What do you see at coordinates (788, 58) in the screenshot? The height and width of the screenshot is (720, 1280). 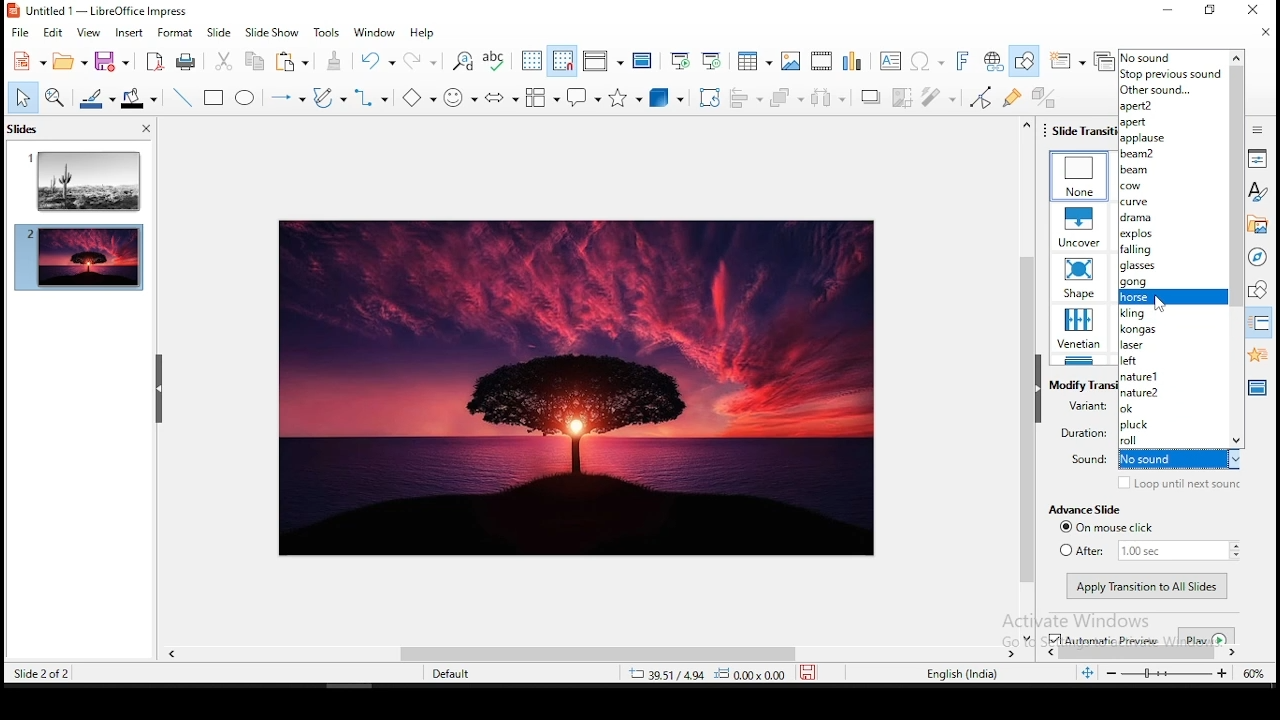 I see `images` at bounding box center [788, 58].